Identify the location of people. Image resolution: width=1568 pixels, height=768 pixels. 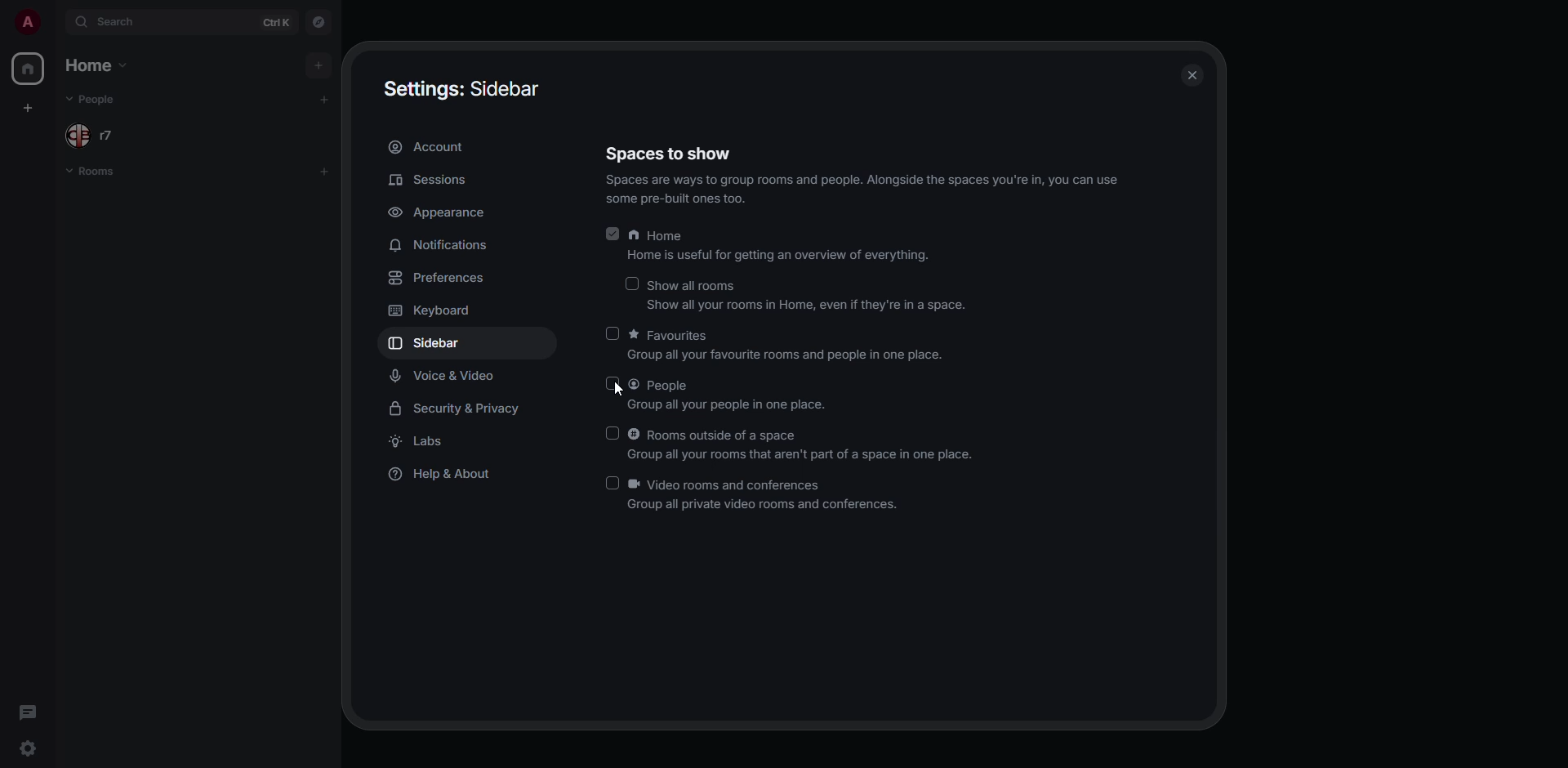
(737, 395).